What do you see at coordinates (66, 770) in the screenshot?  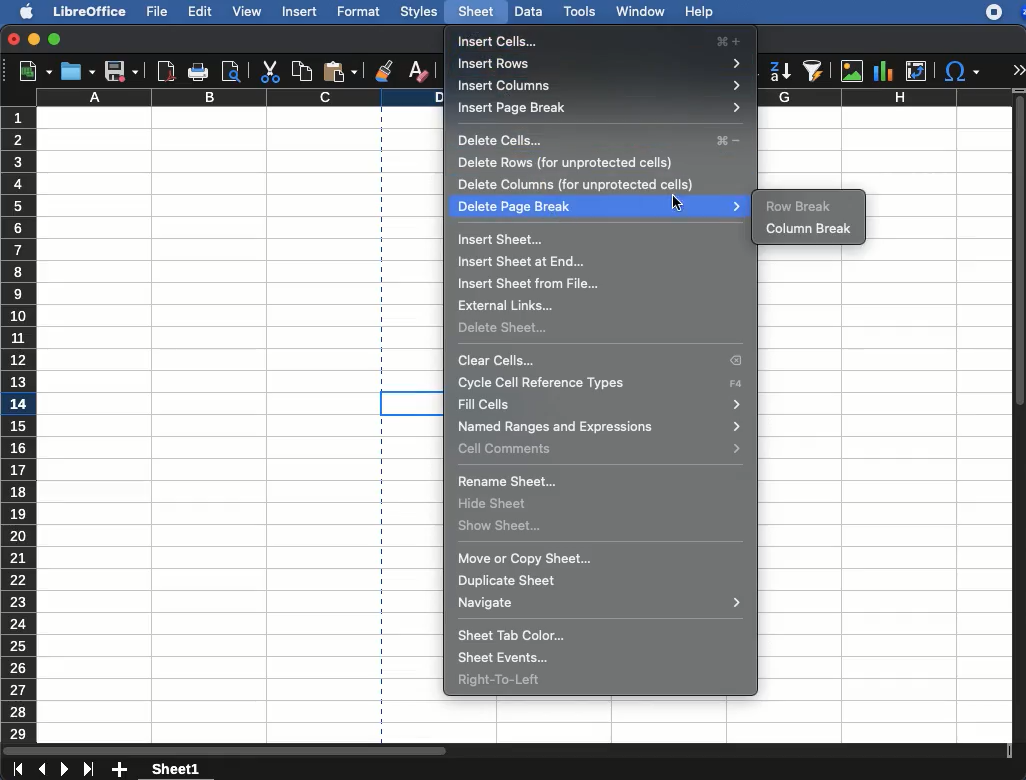 I see `next sheet` at bounding box center [66, 770].